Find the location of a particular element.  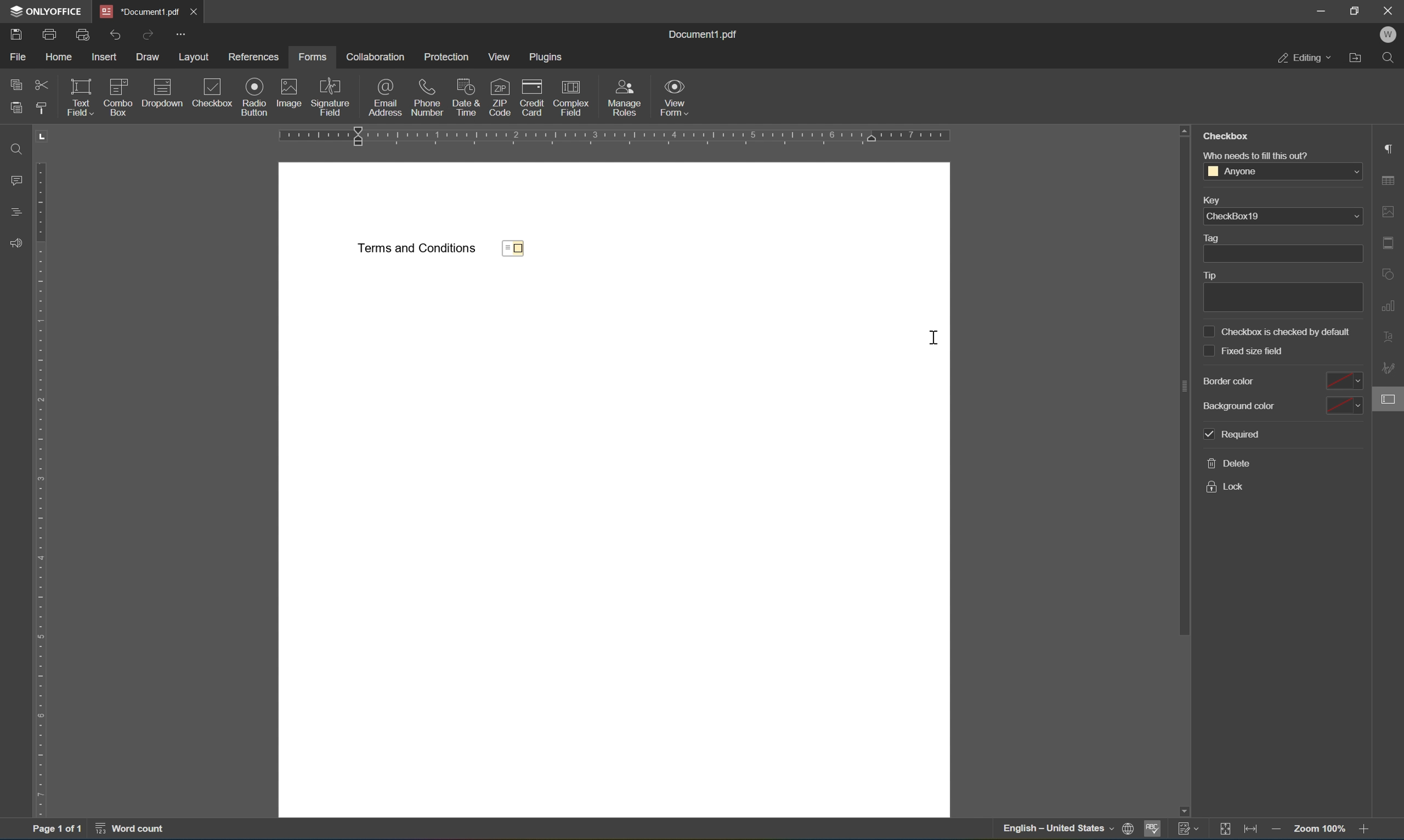

icon is located at coordinates (288, 87).